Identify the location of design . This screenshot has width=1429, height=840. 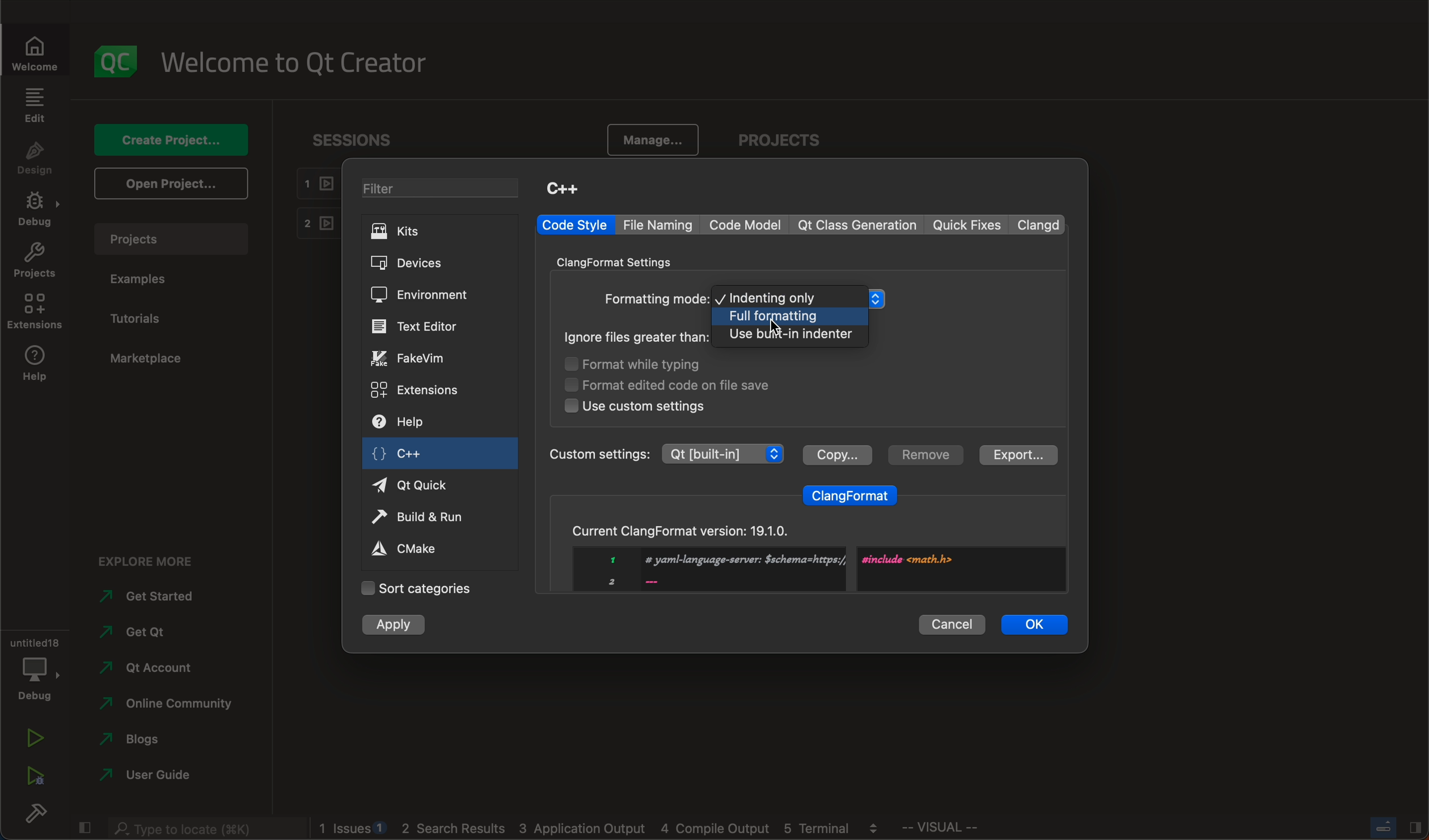
(35, 159).